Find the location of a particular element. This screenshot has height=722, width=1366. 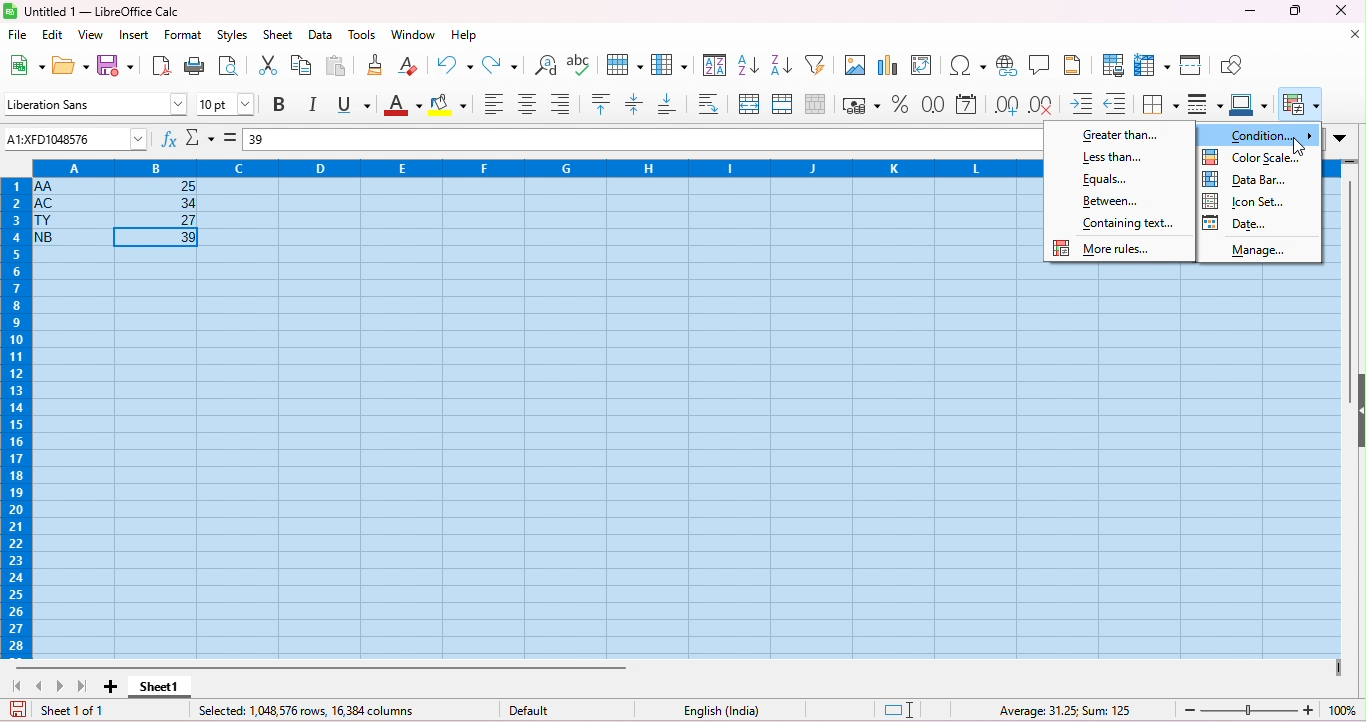

paste is located at coordinates (336, 65).